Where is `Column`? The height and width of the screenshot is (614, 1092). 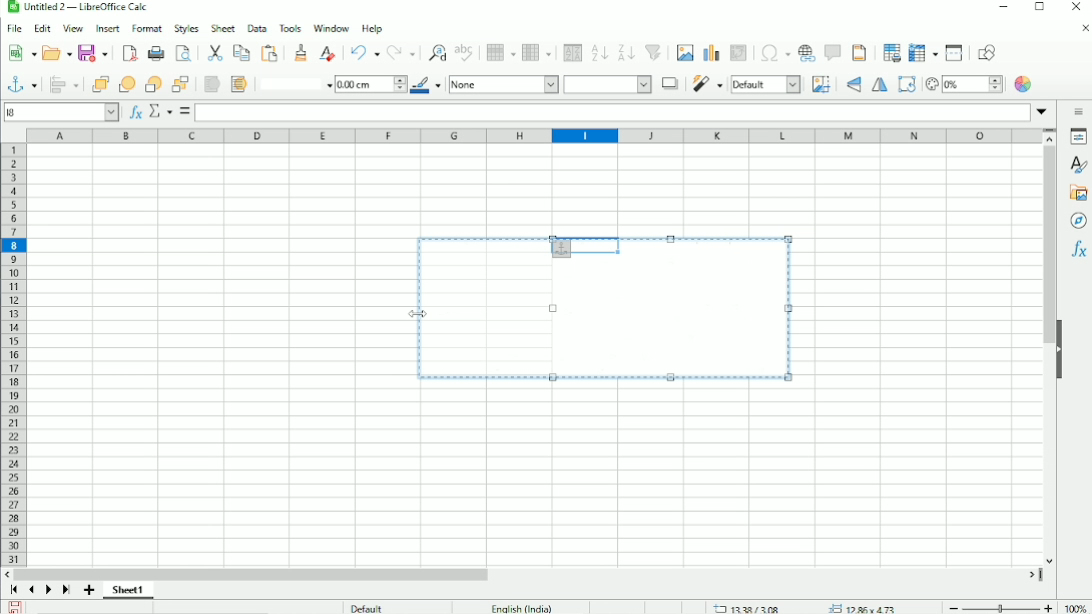
Column is located at coordinates (538, 52).